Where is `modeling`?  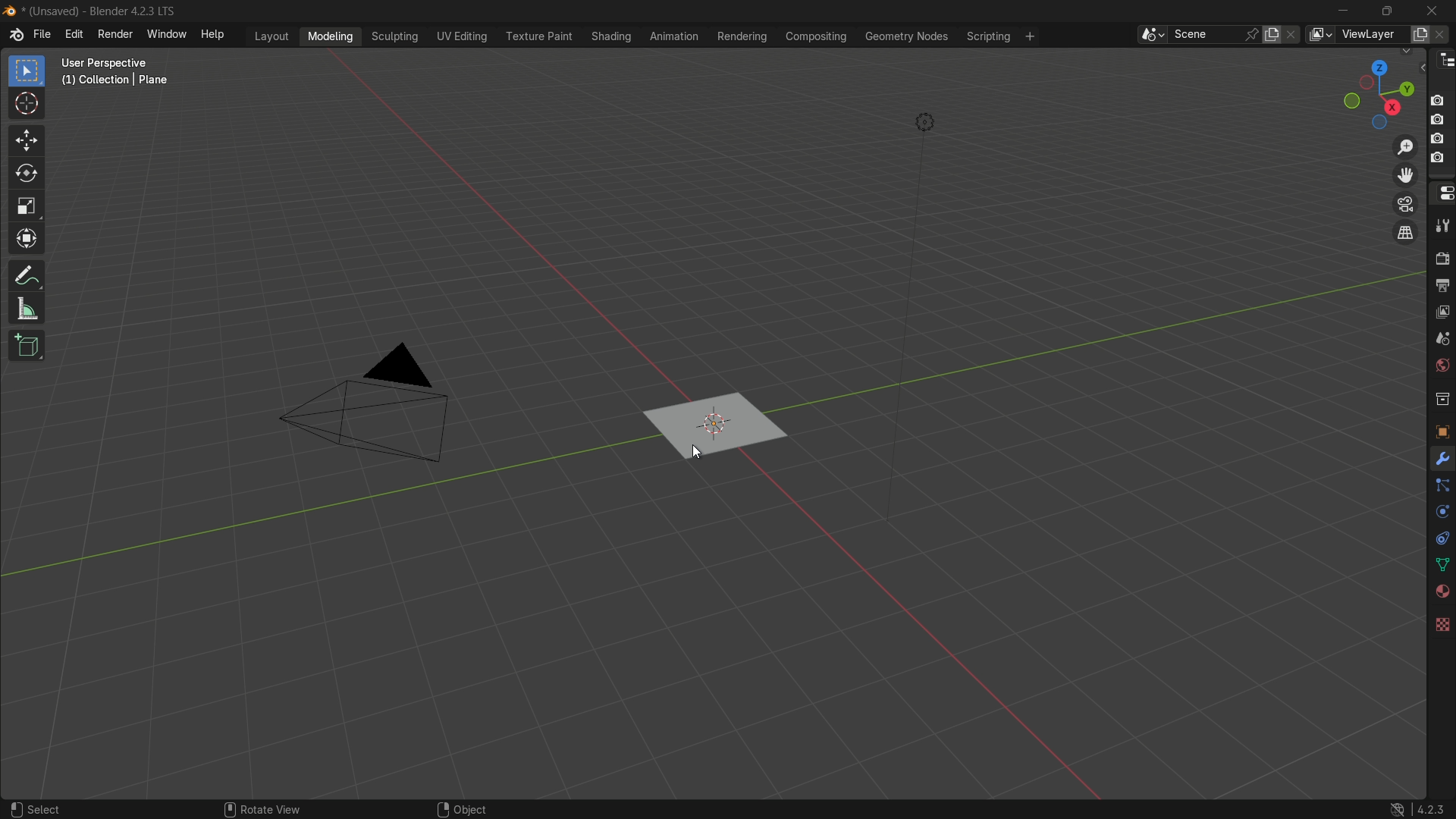
modeling is located at coordinates (328, 36).